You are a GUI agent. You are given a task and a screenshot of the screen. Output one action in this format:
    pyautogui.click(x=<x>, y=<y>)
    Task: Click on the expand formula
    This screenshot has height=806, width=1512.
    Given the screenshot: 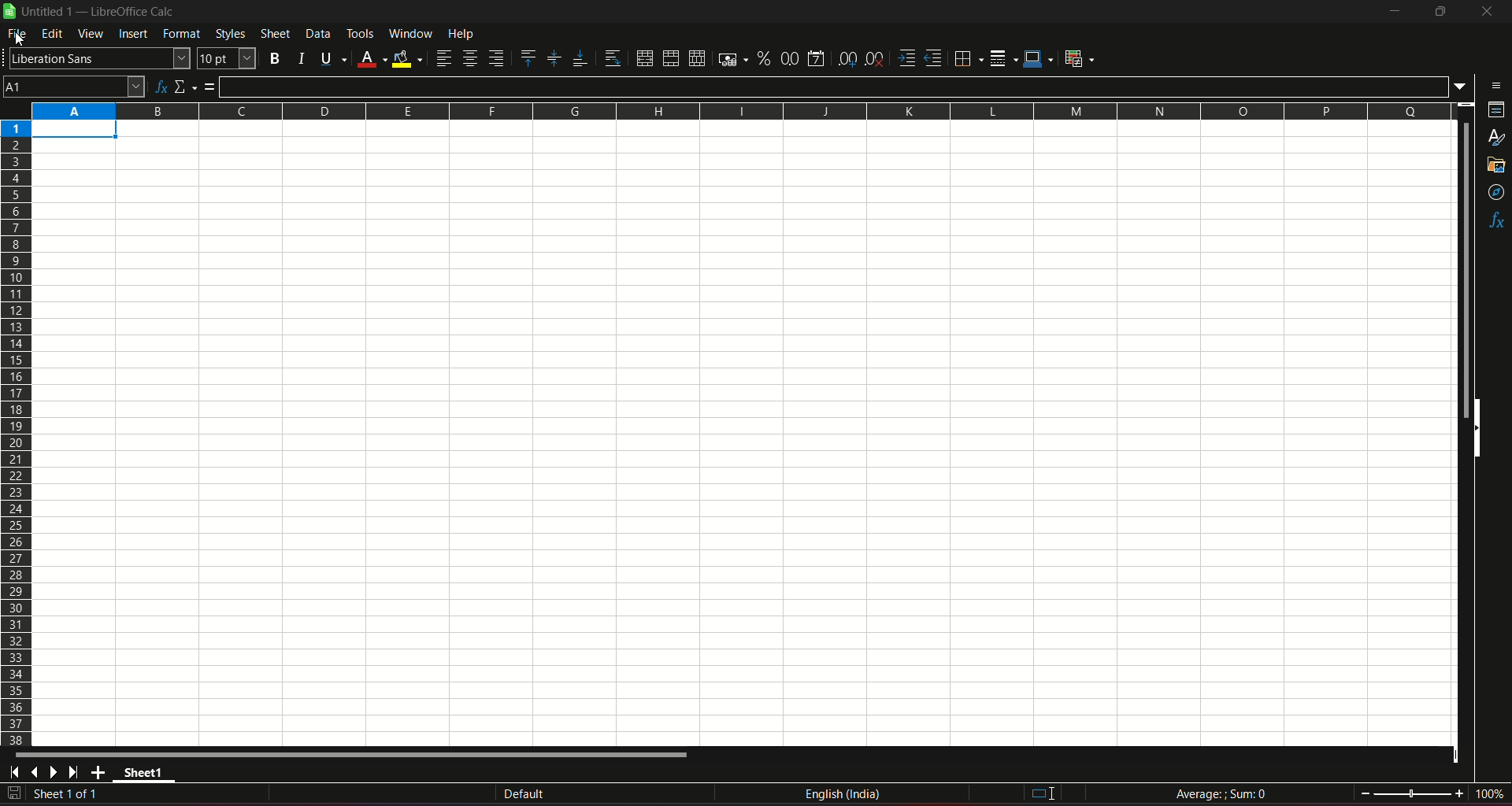 What is the action you would take?
    pyautogui.click(x=1462, y=87)
    